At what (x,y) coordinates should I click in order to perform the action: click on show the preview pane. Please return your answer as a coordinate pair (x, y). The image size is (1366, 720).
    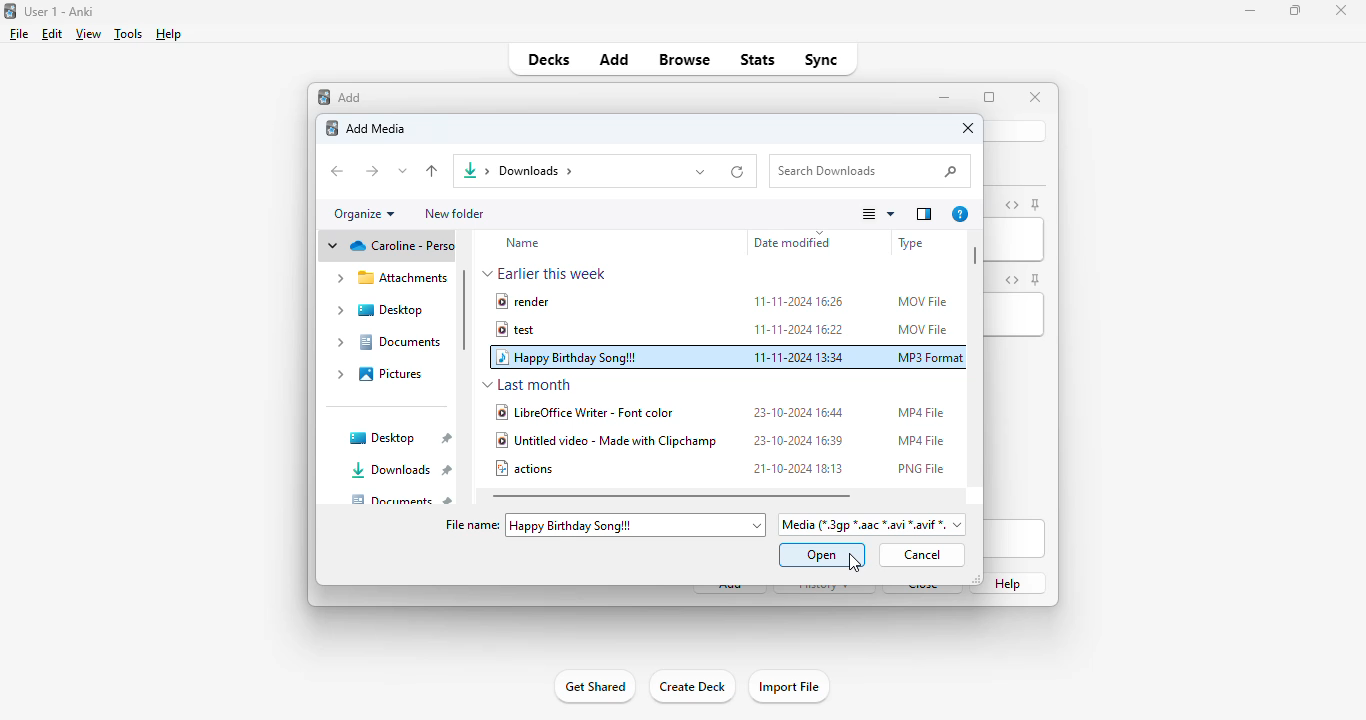
    Looking at the image, I should click on (925, 214).